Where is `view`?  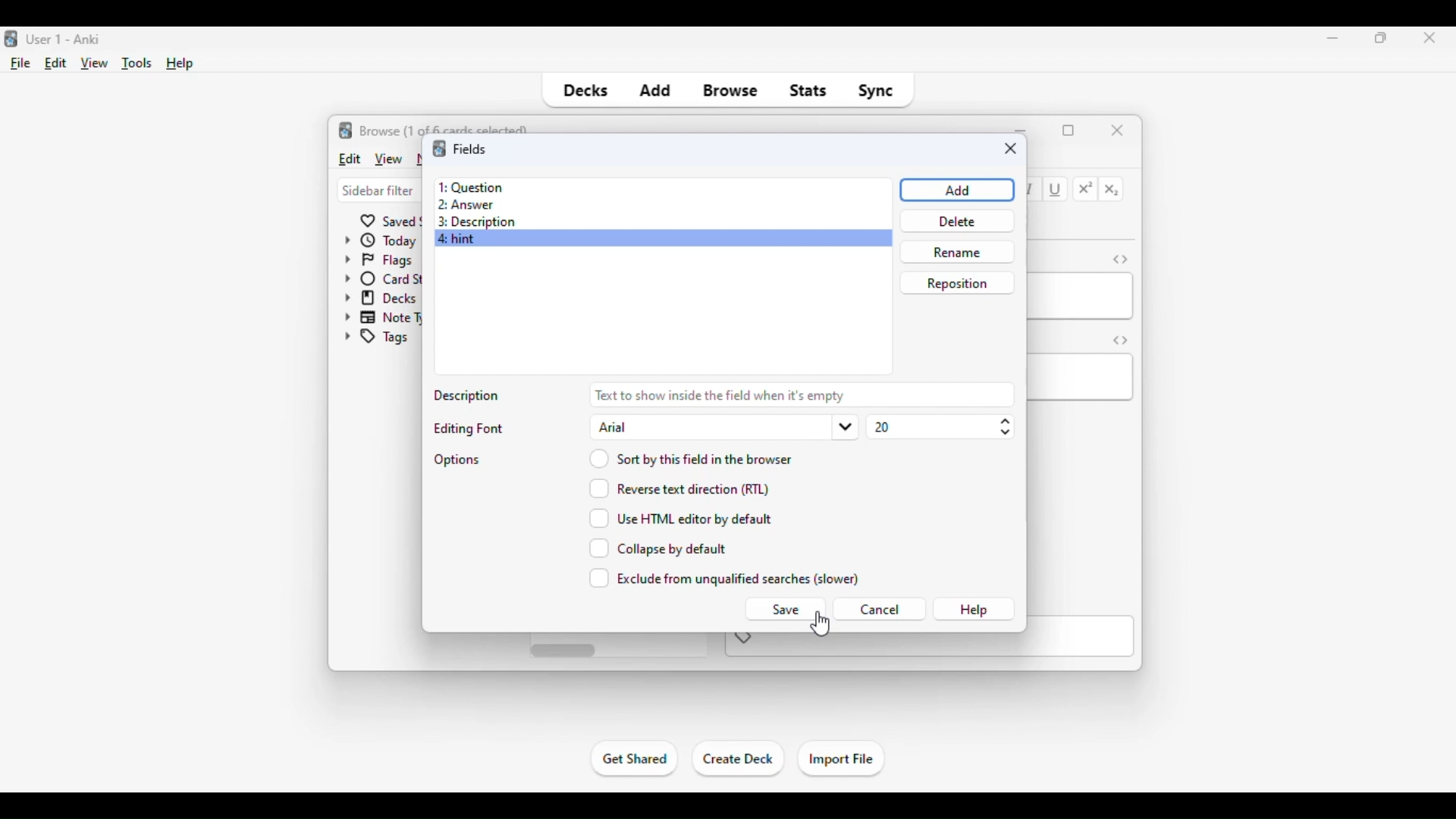
view is located at coordinates (95, 64).